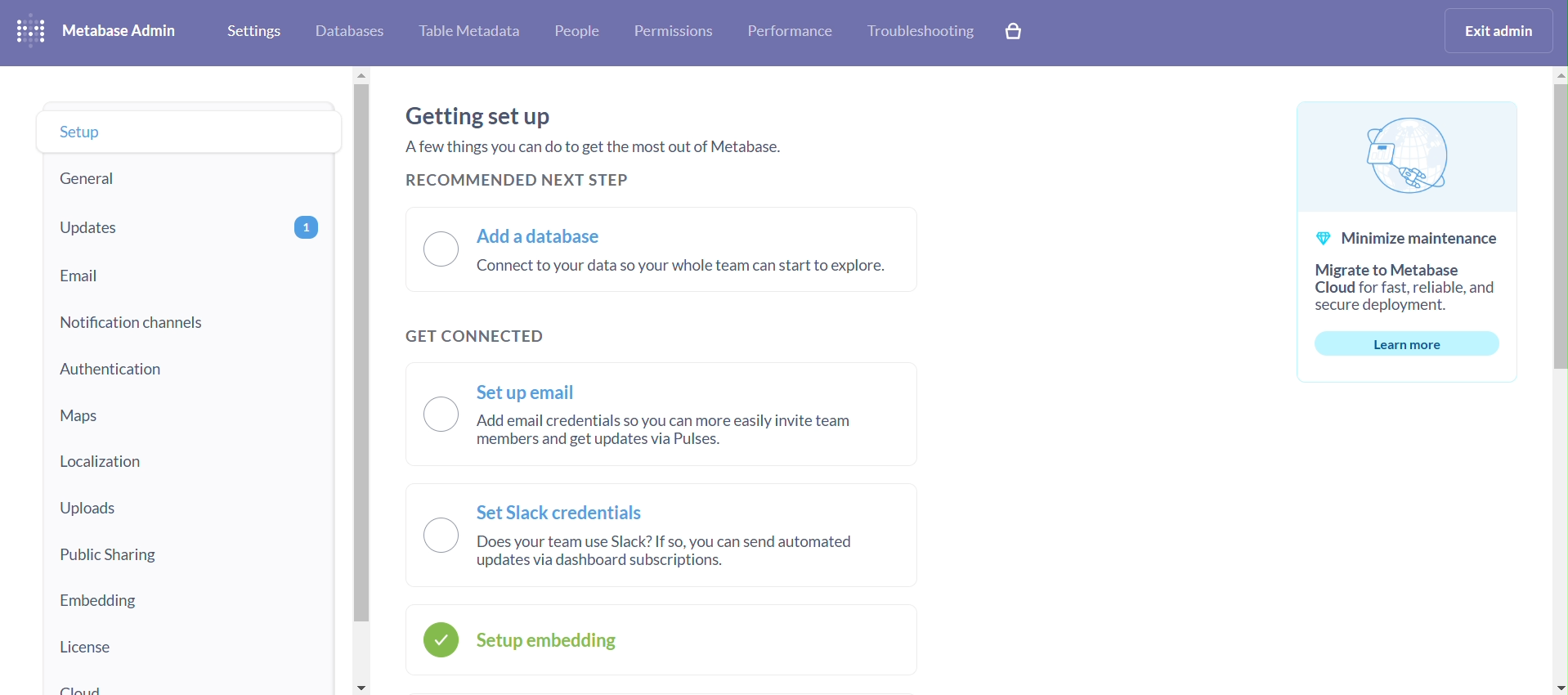 The width and height of the screenshot is (1568, 695). Describe the element at coordinates (190, 599) in the screenshot. I see `embedding` at that location.